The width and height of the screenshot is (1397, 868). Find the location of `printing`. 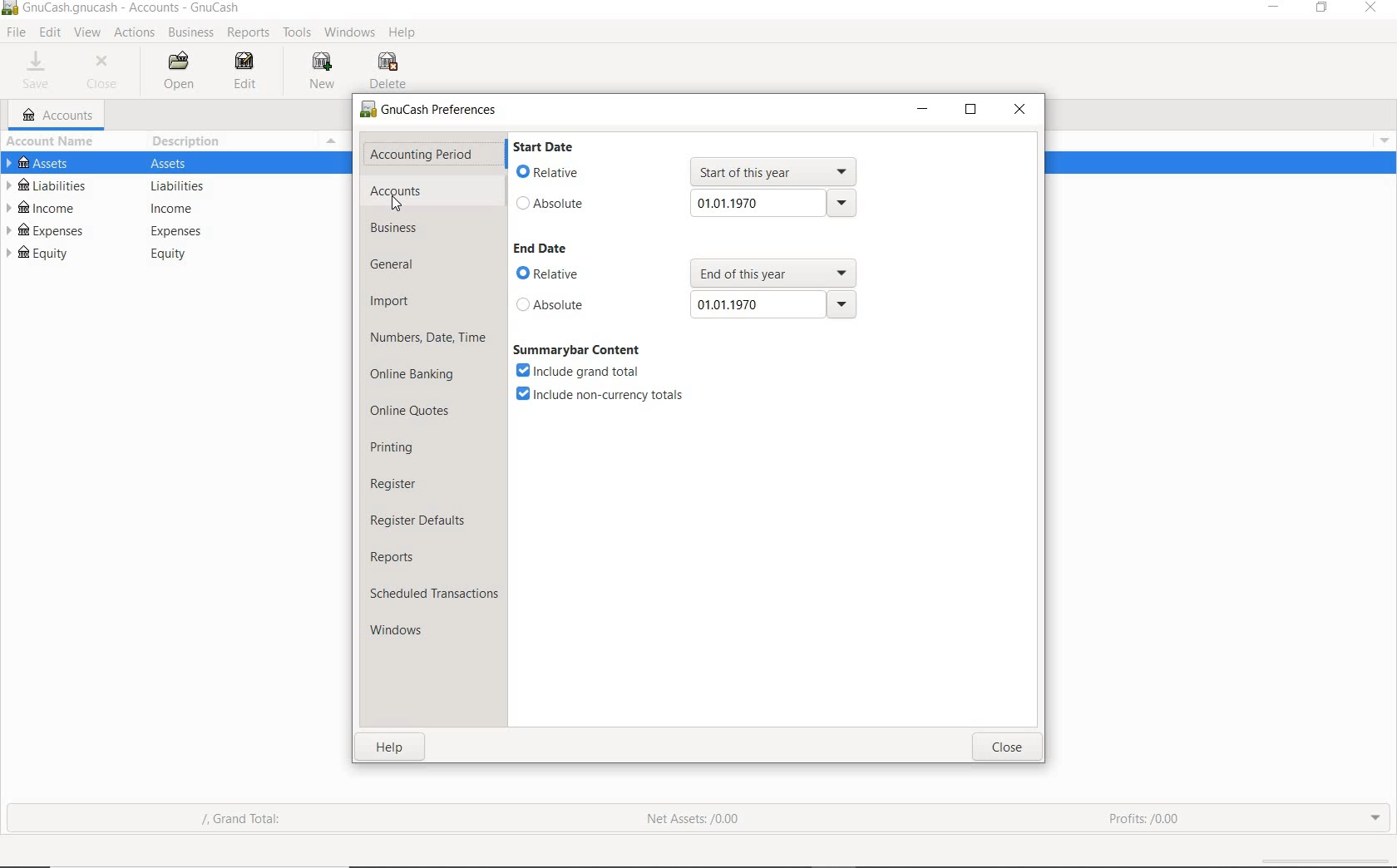

printing is located at coordinates (394, 446).